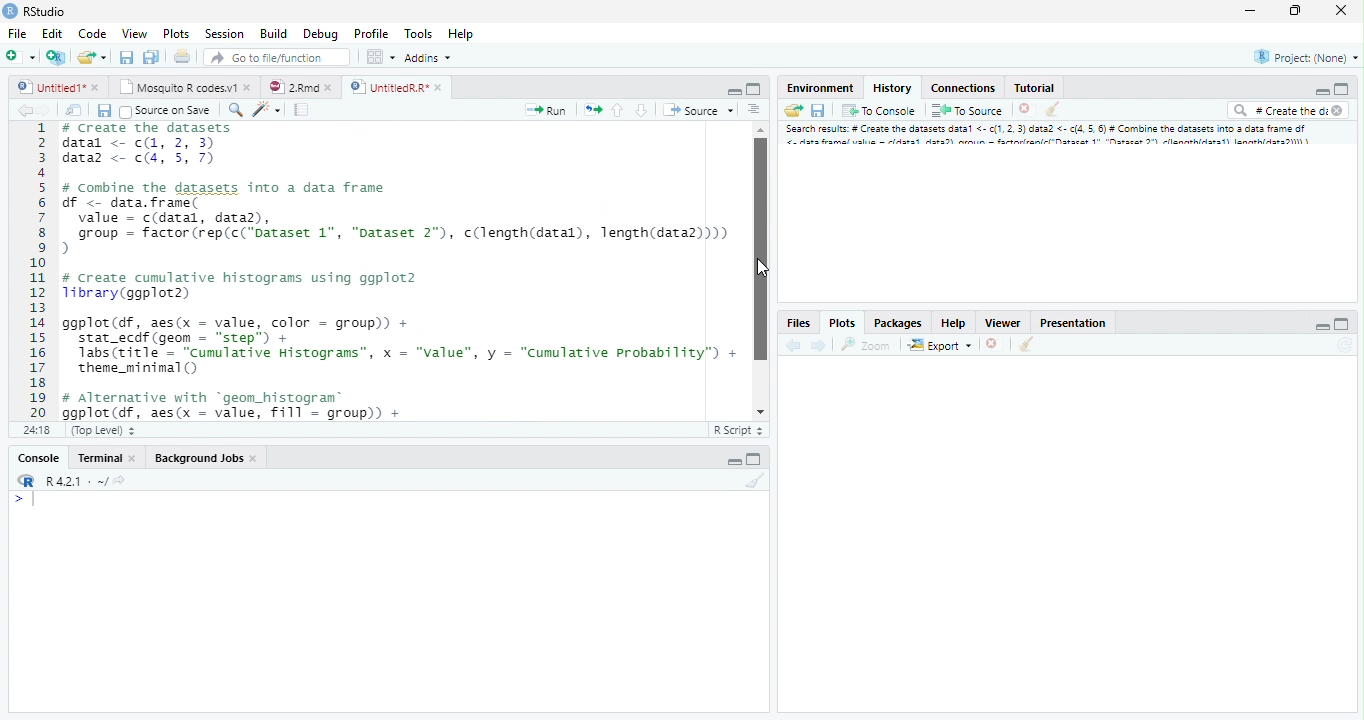 Image resolution: width=1364 pixels, height=720 pixels. What do you see at coordinates (755, 113) in the screenshot?
I see `Alignment` at bounding box center [755, 113].